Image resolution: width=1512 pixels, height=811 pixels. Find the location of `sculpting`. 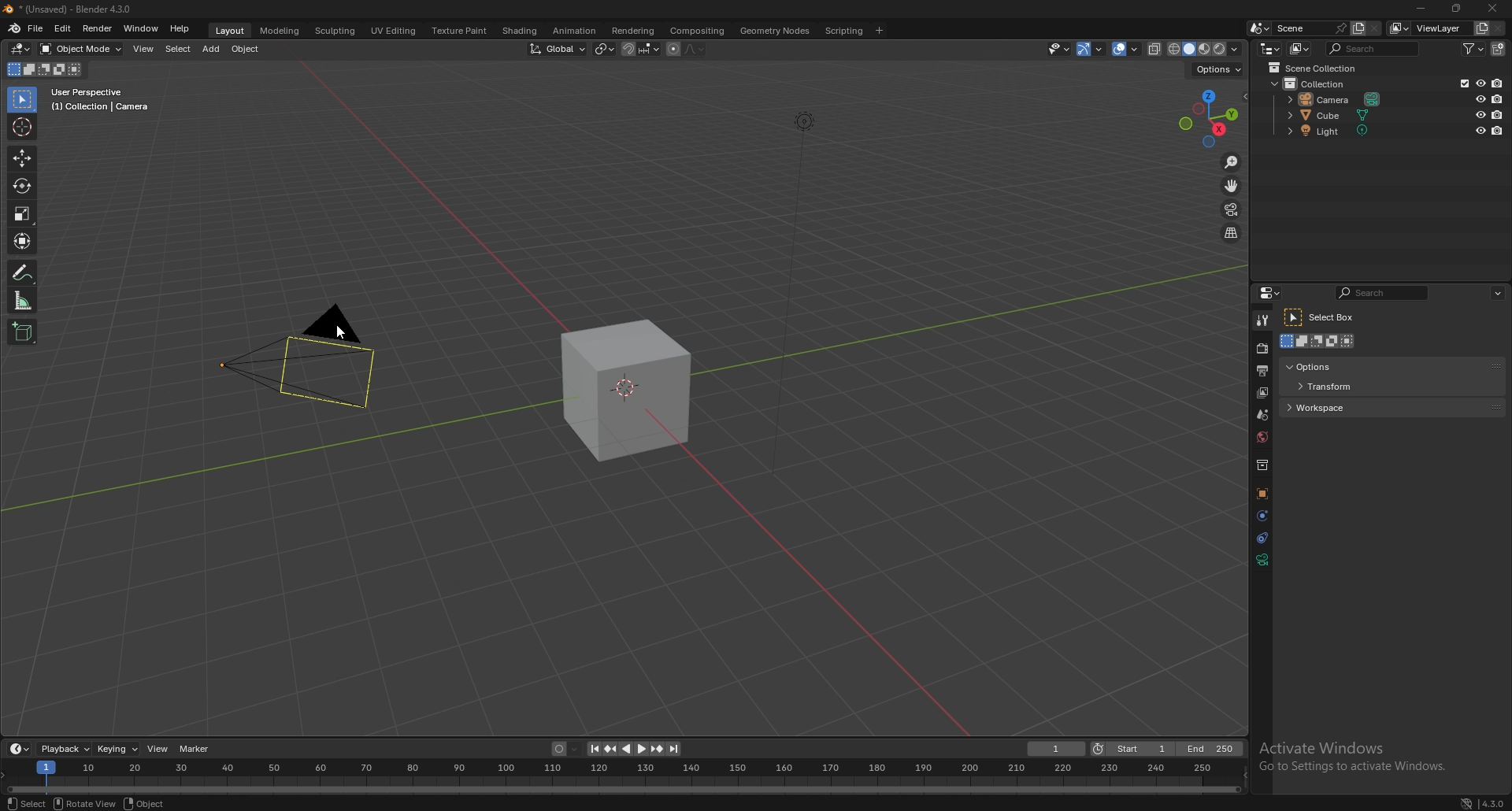

sculpting is located at coordinates (335, 31).